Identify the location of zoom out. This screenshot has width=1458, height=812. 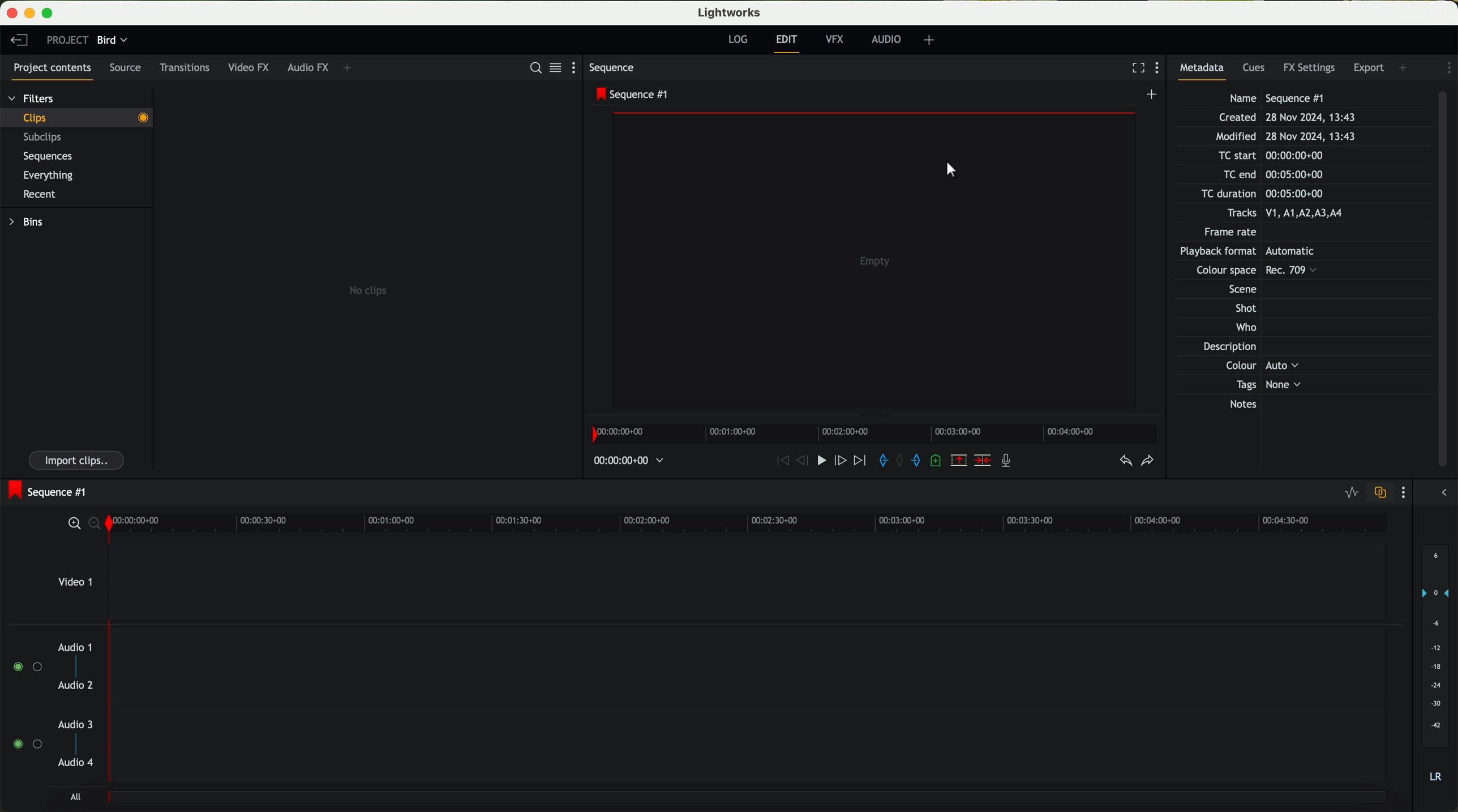
(94, 523).